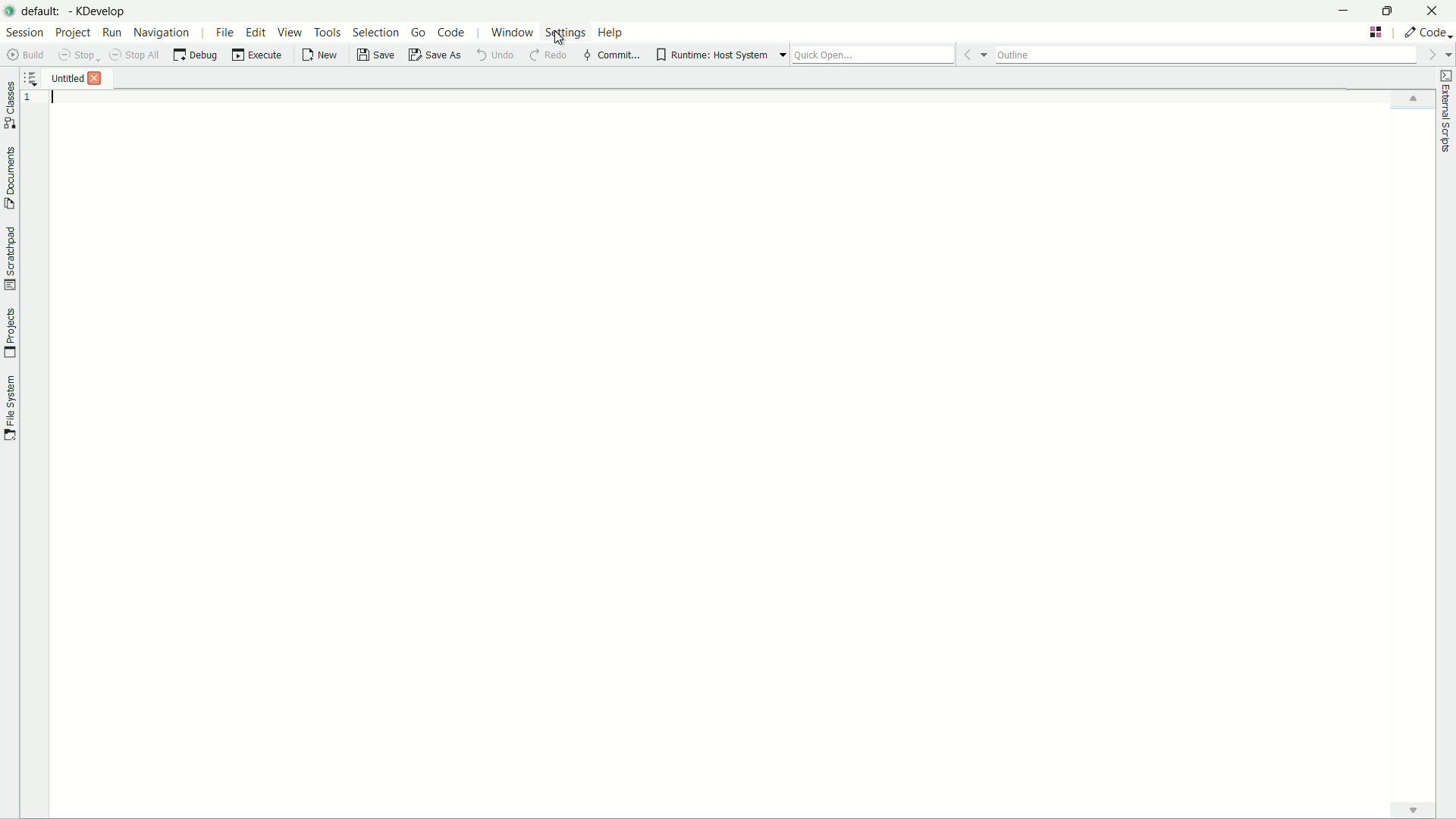 This screenshot has height=819, width=1456. What do you see at coordinates (1204, 57) in the screenshot?
I see `outline` at bounding box center [1204, 57].